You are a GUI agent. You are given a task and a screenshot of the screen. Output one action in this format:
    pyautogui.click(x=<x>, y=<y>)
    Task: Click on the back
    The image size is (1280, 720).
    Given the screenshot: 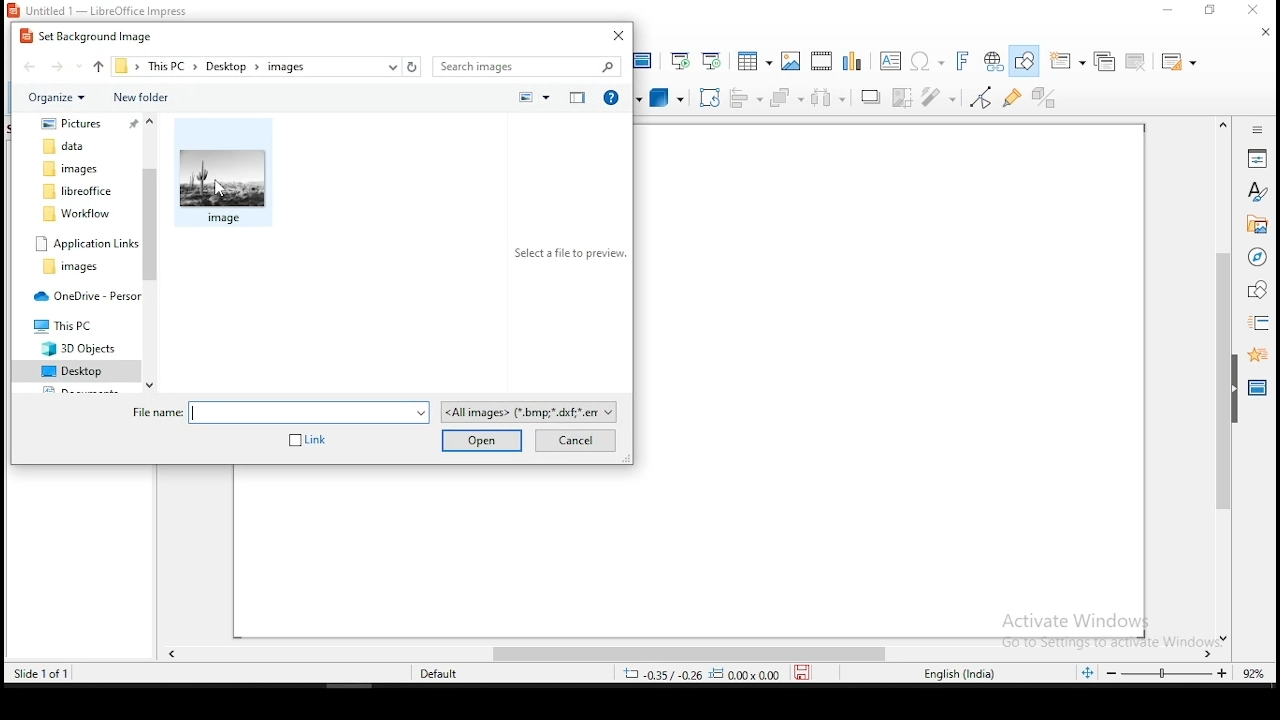 What is the action you would take?
    pyautogui.click(x=31, y=66)
    